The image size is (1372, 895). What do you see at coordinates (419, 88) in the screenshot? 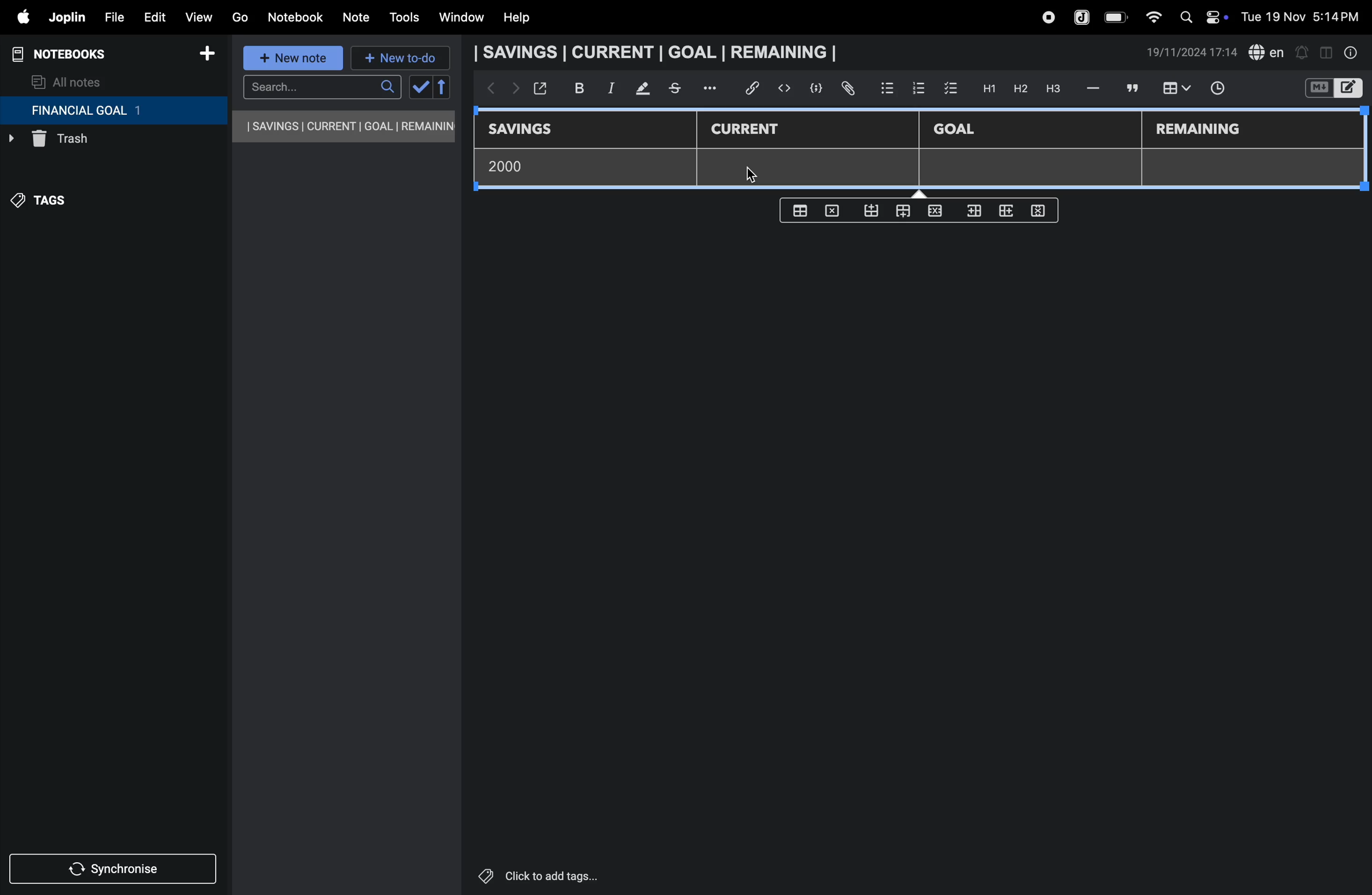
I see `check` at bounding box center [419, 88].